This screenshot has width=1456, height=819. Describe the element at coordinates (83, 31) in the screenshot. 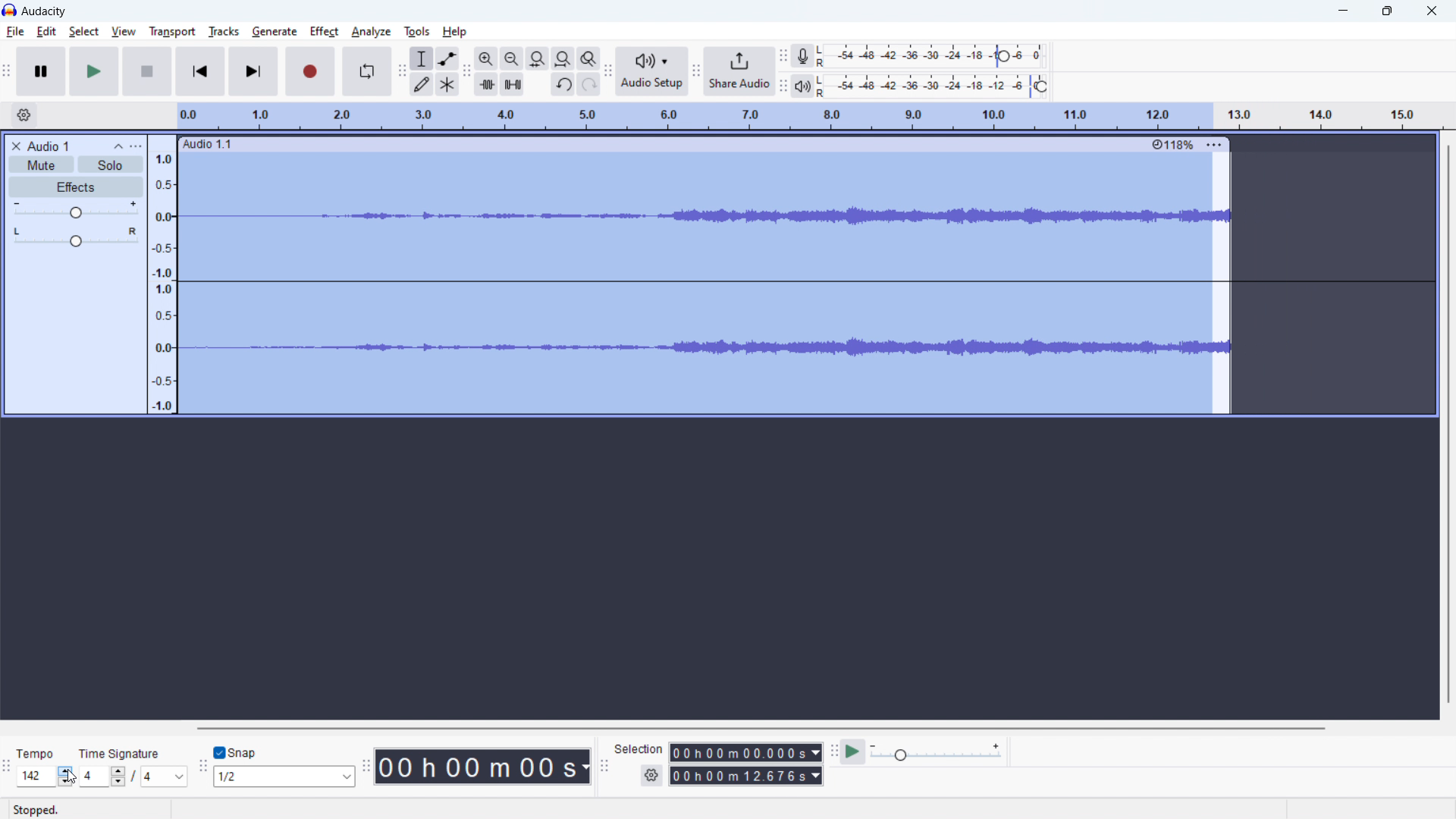

I see `select` at that location.